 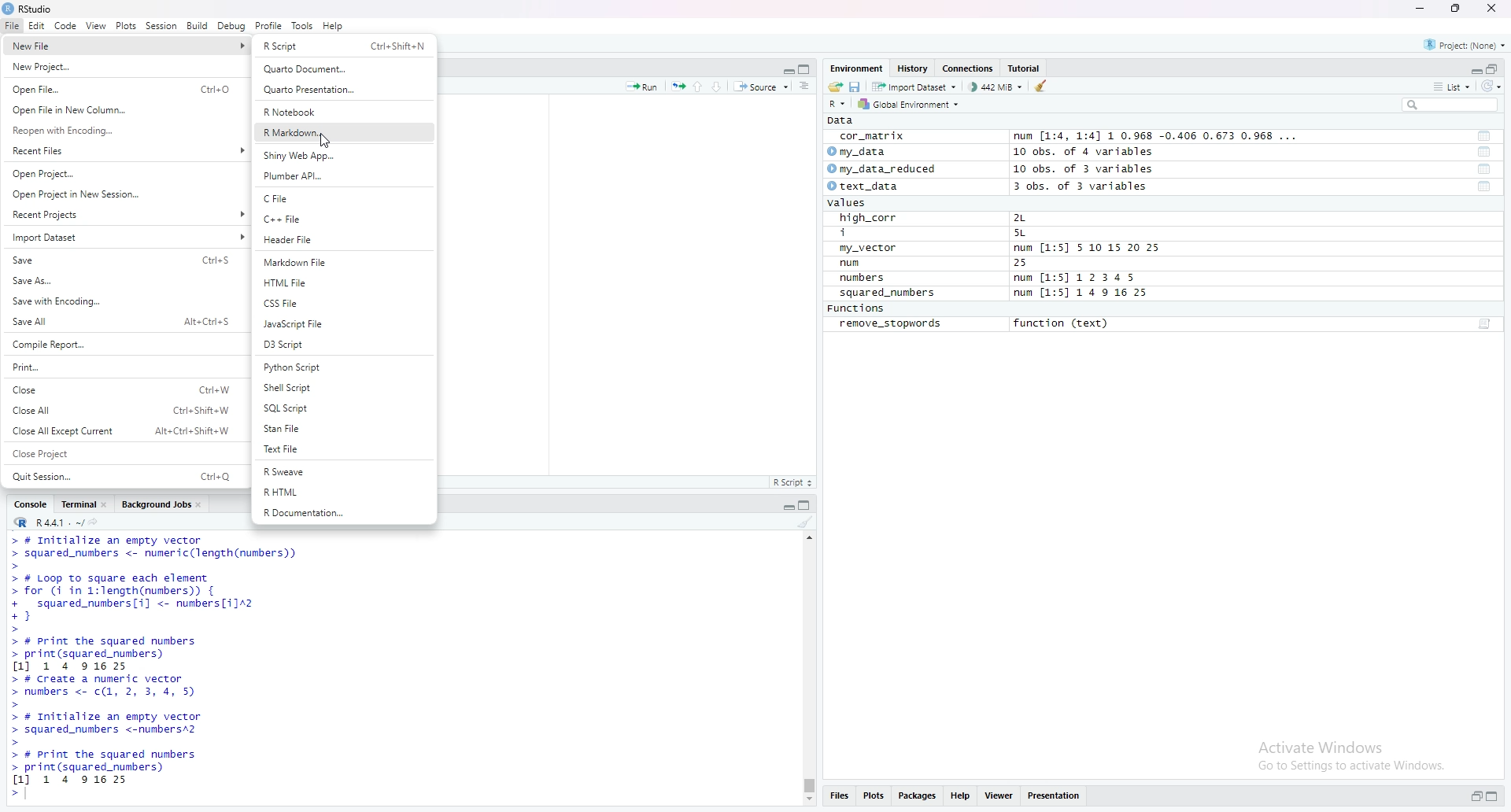 I want to click on SQL Script, so click(x=345, y=409).